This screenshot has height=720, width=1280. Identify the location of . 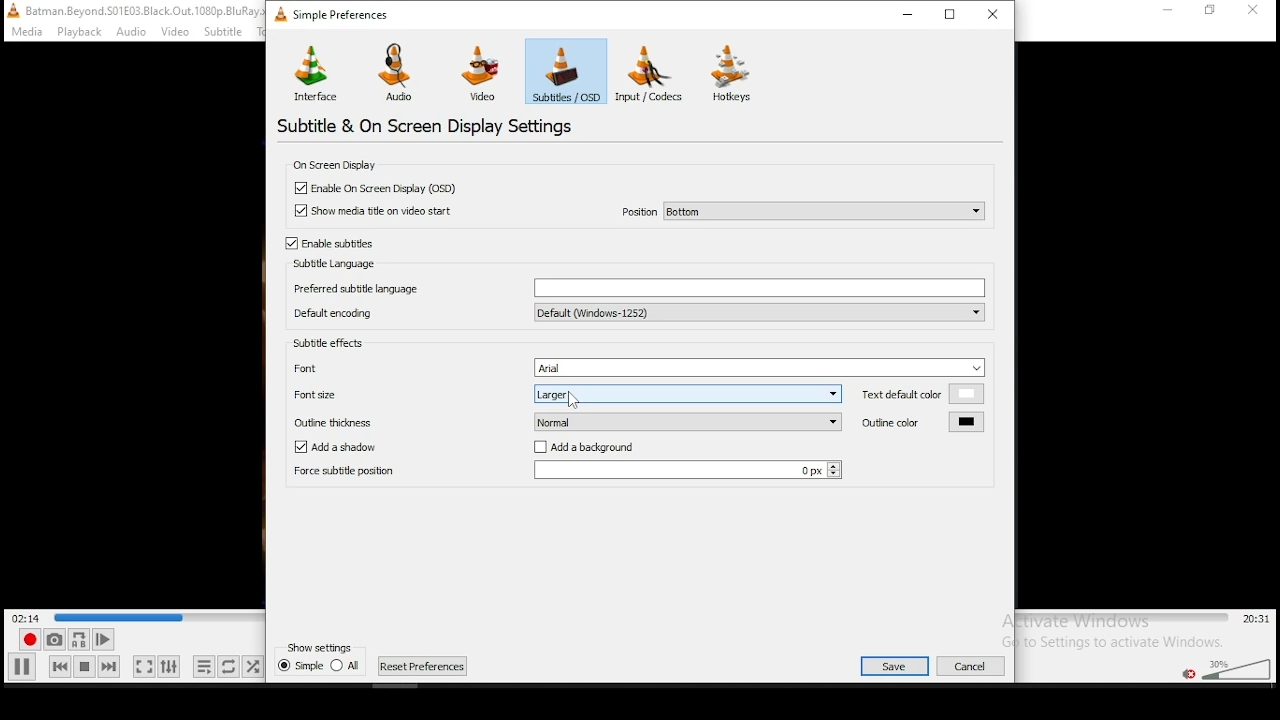
(230, 31).